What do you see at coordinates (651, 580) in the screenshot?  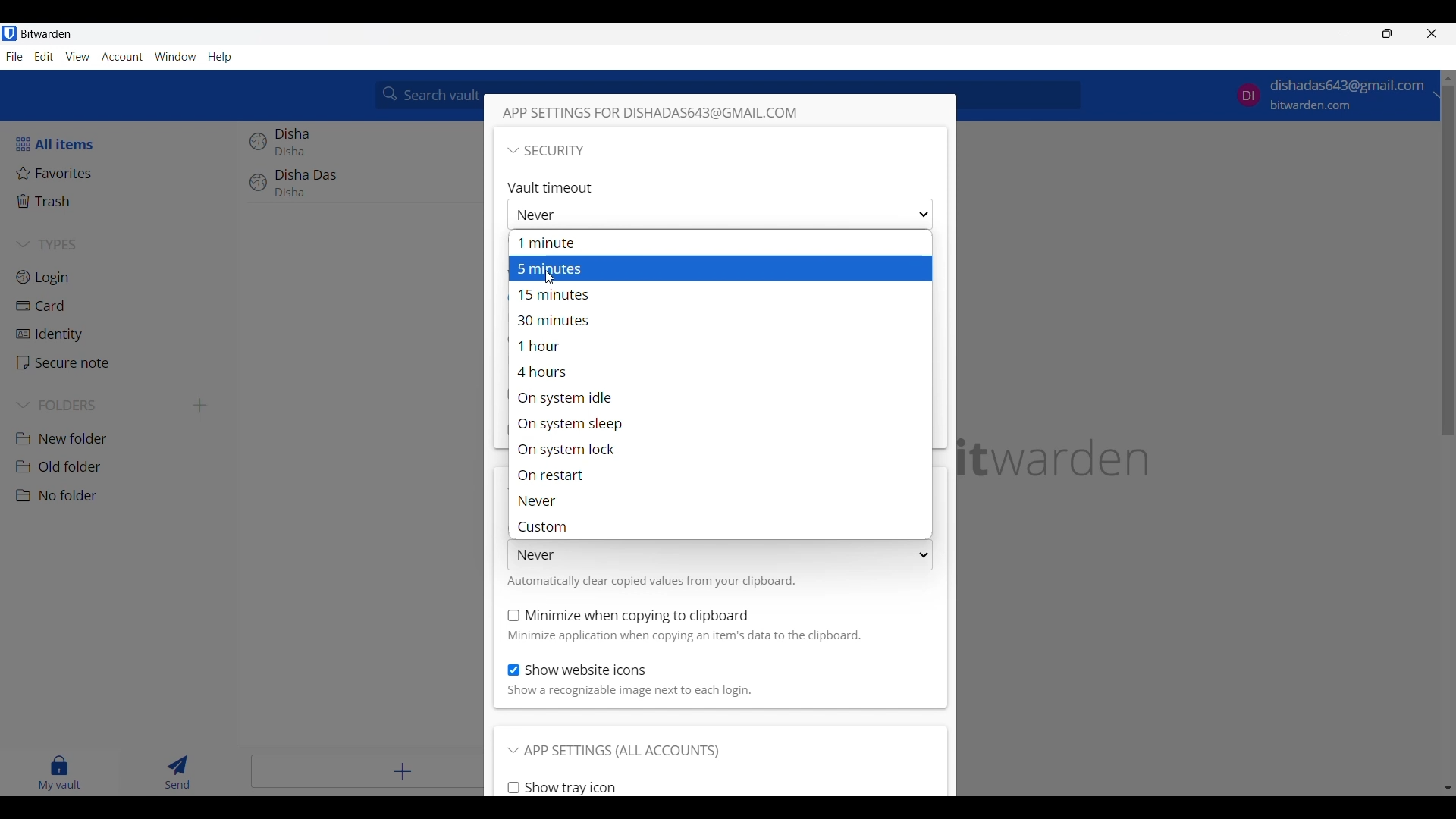 I see `Description of above list` at bounding box center [651, 580].